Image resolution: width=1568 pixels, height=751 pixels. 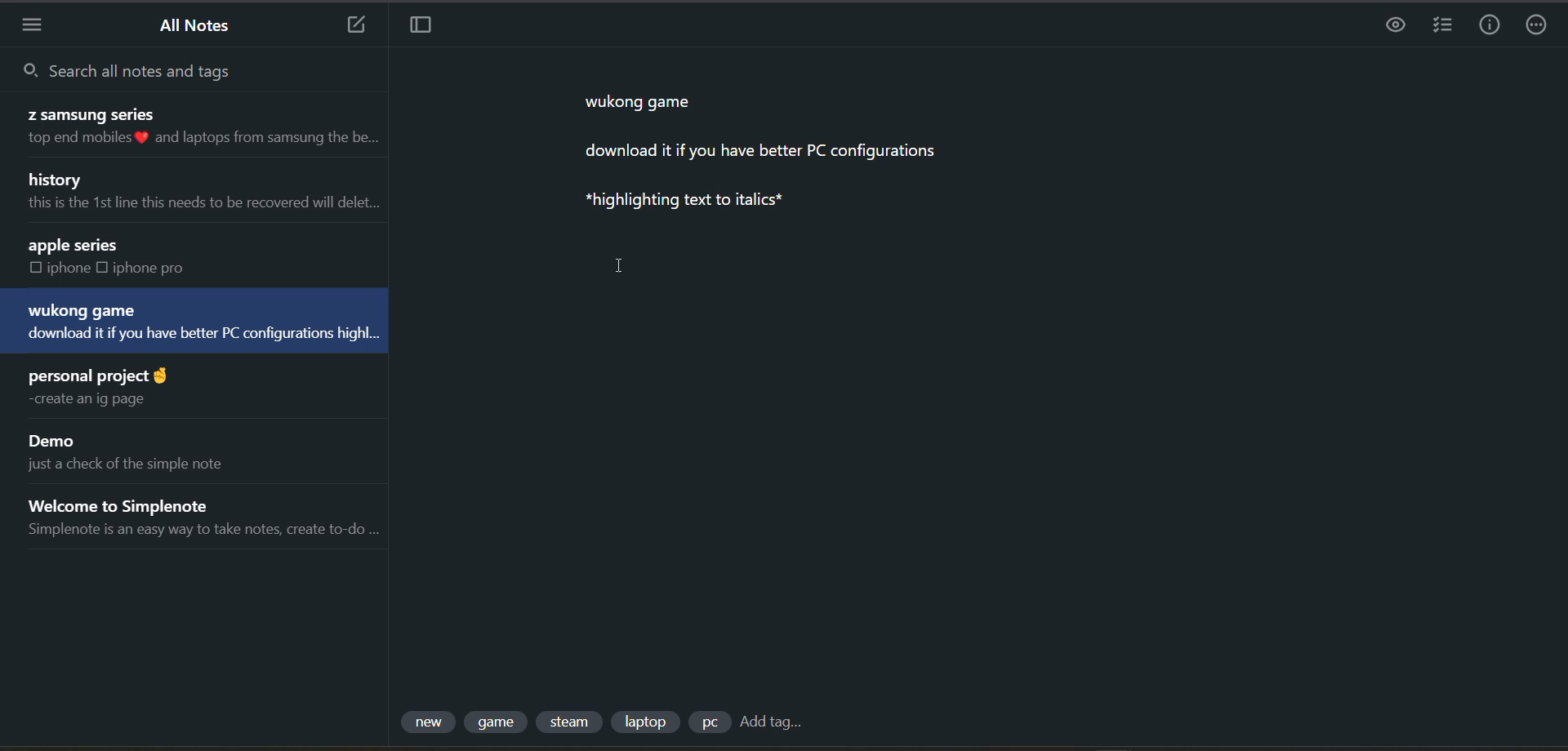 I want to click on preview, so click(x=1389, y=27).